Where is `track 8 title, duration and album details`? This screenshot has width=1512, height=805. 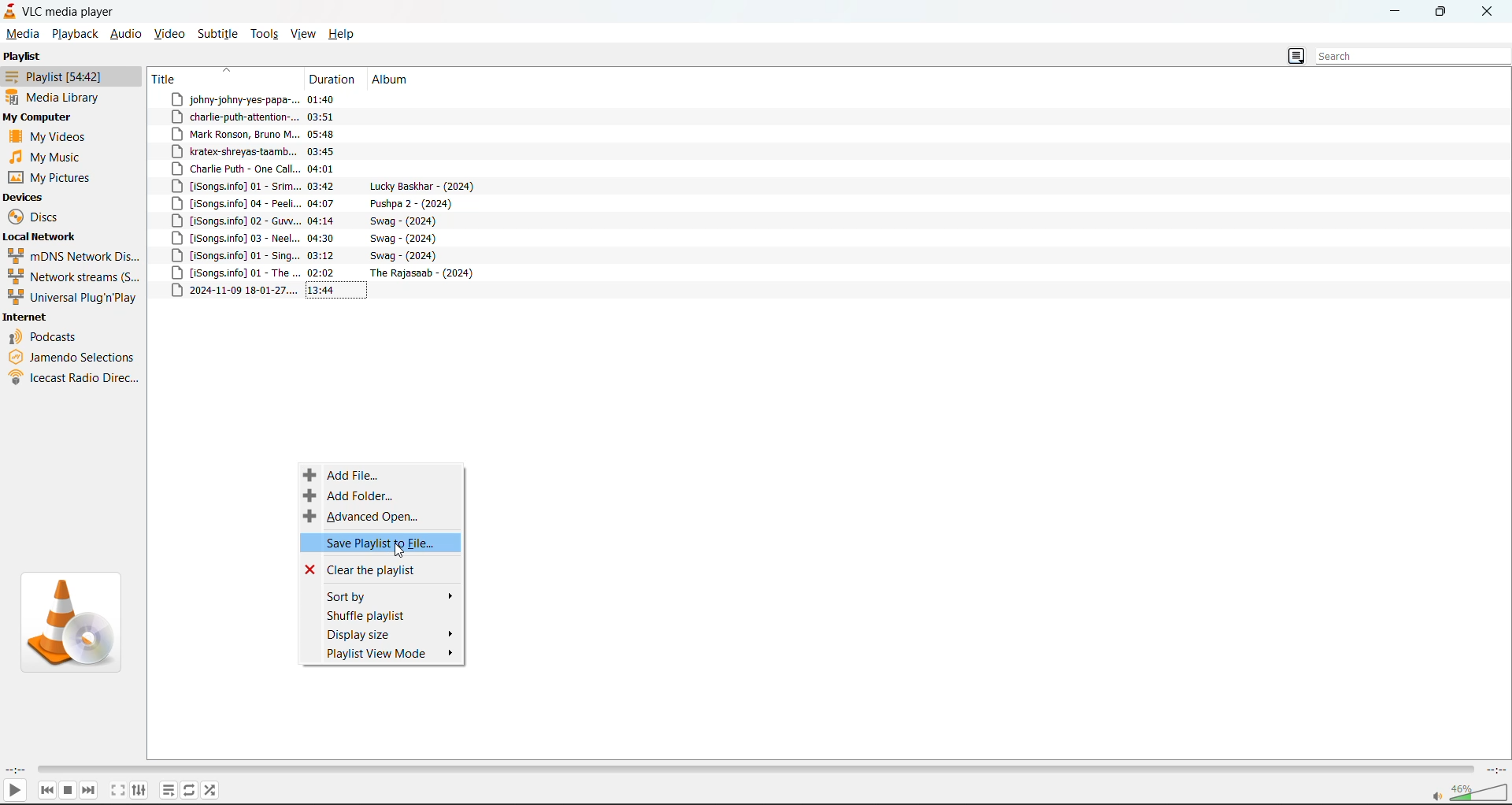
track 8 title, duration and album details is located at coordinates (306, 221).